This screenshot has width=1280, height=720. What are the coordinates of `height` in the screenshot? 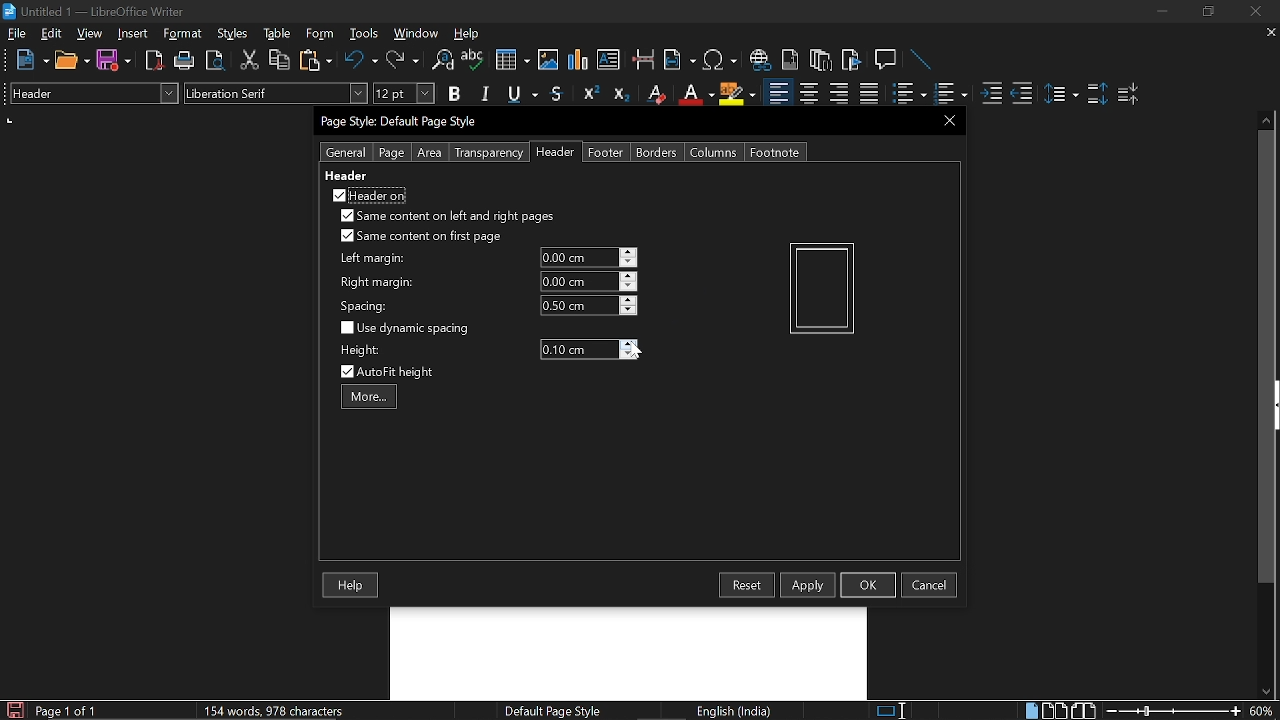 It's located at (360, 350).